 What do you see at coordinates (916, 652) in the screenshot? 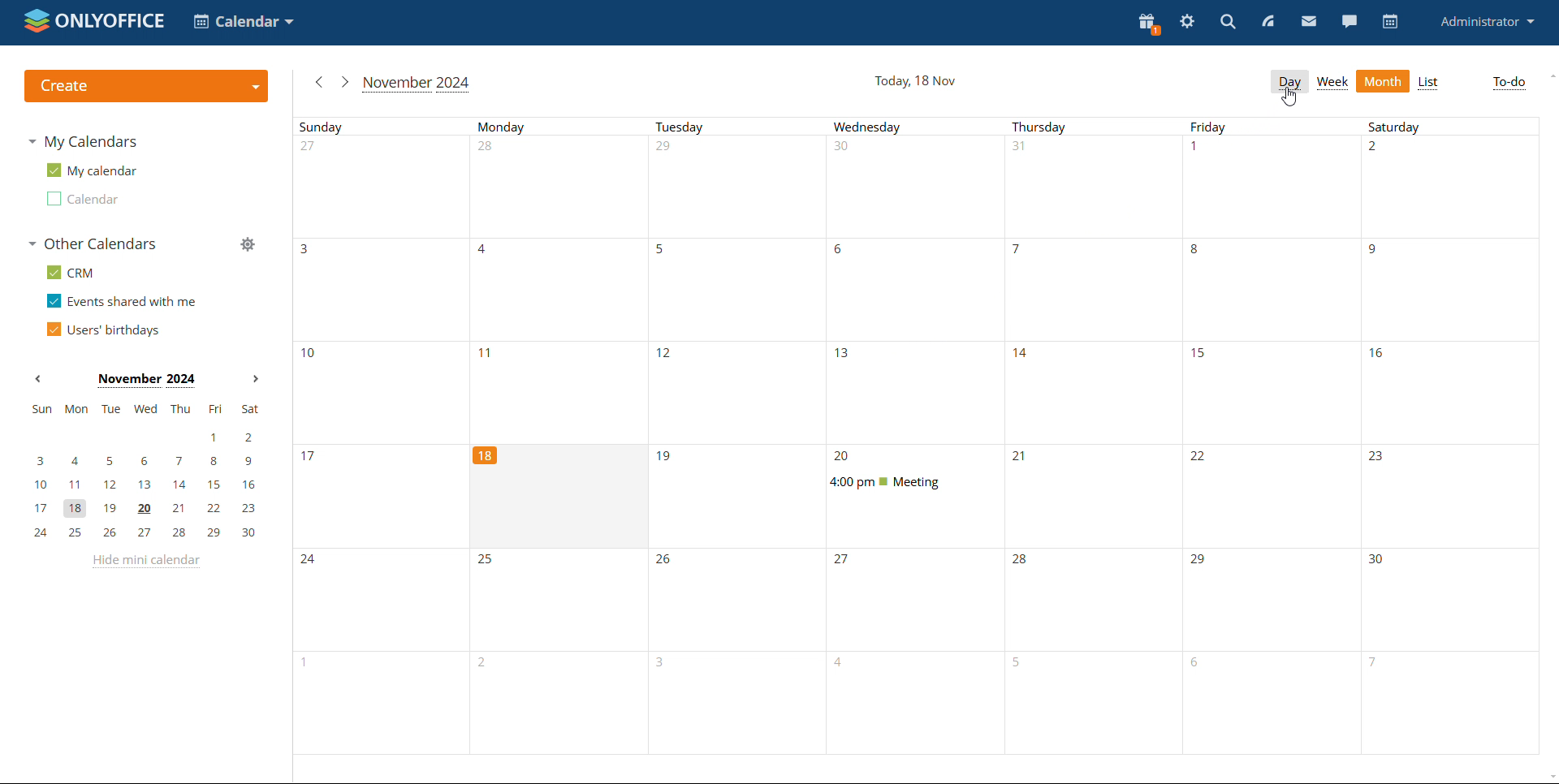
I see `wednesday` at bounding box center [916, 652].